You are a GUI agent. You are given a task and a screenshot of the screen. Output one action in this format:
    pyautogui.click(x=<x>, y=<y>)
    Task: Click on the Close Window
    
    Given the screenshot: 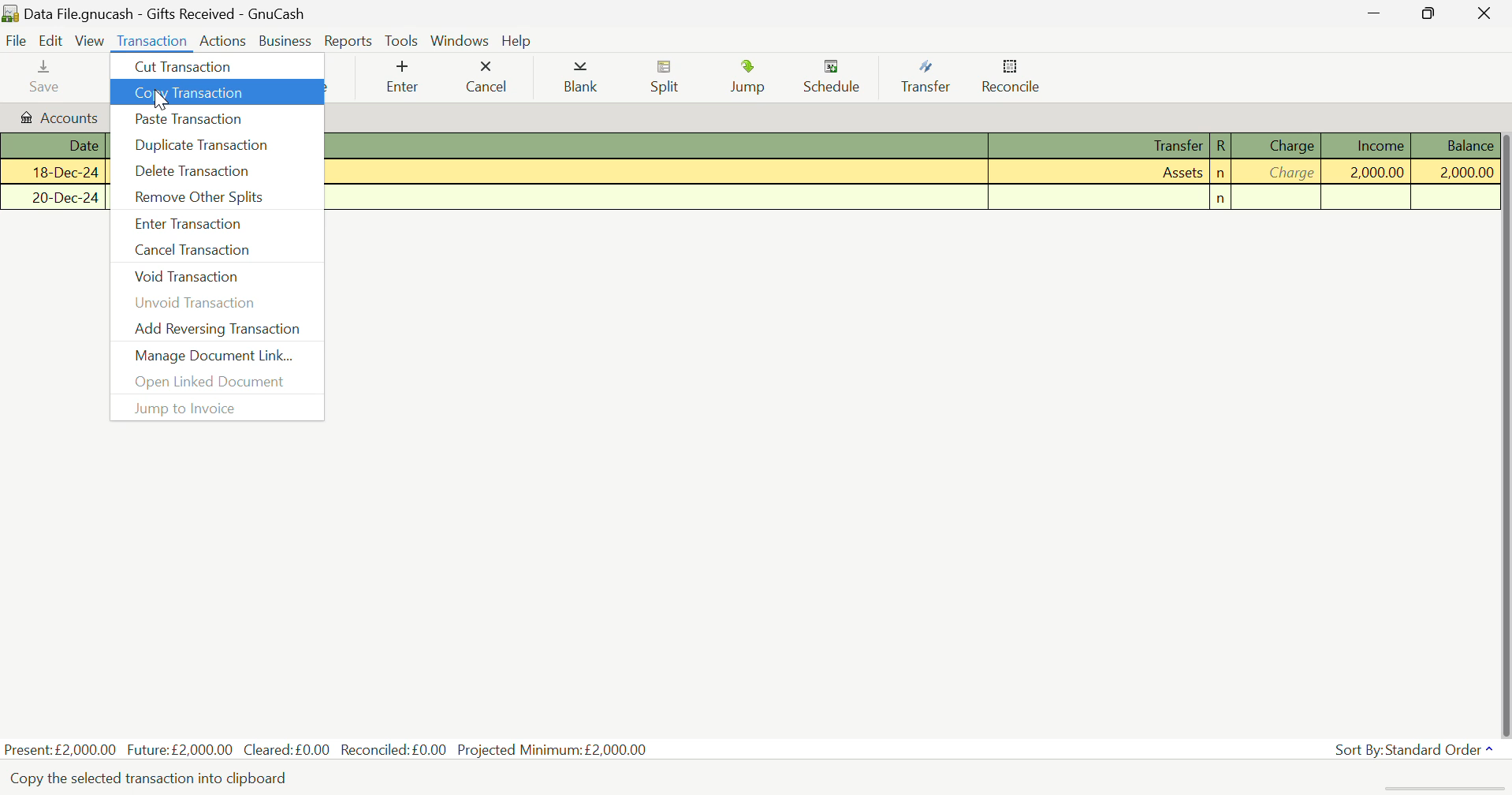 What is the action you would take?
    pyautogui.click(x=1488, y=12)
    